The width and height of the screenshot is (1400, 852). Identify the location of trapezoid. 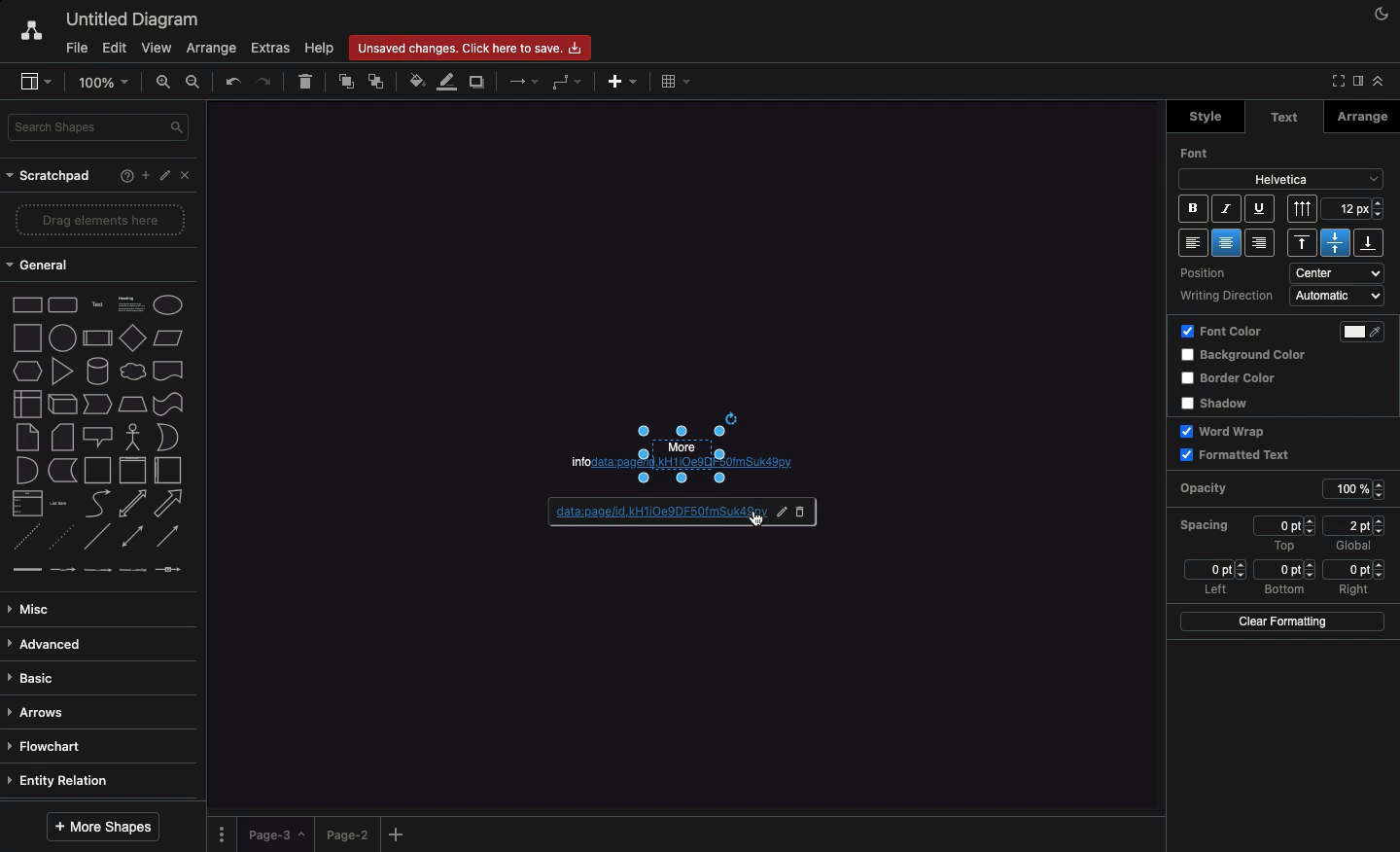
(132, 405).